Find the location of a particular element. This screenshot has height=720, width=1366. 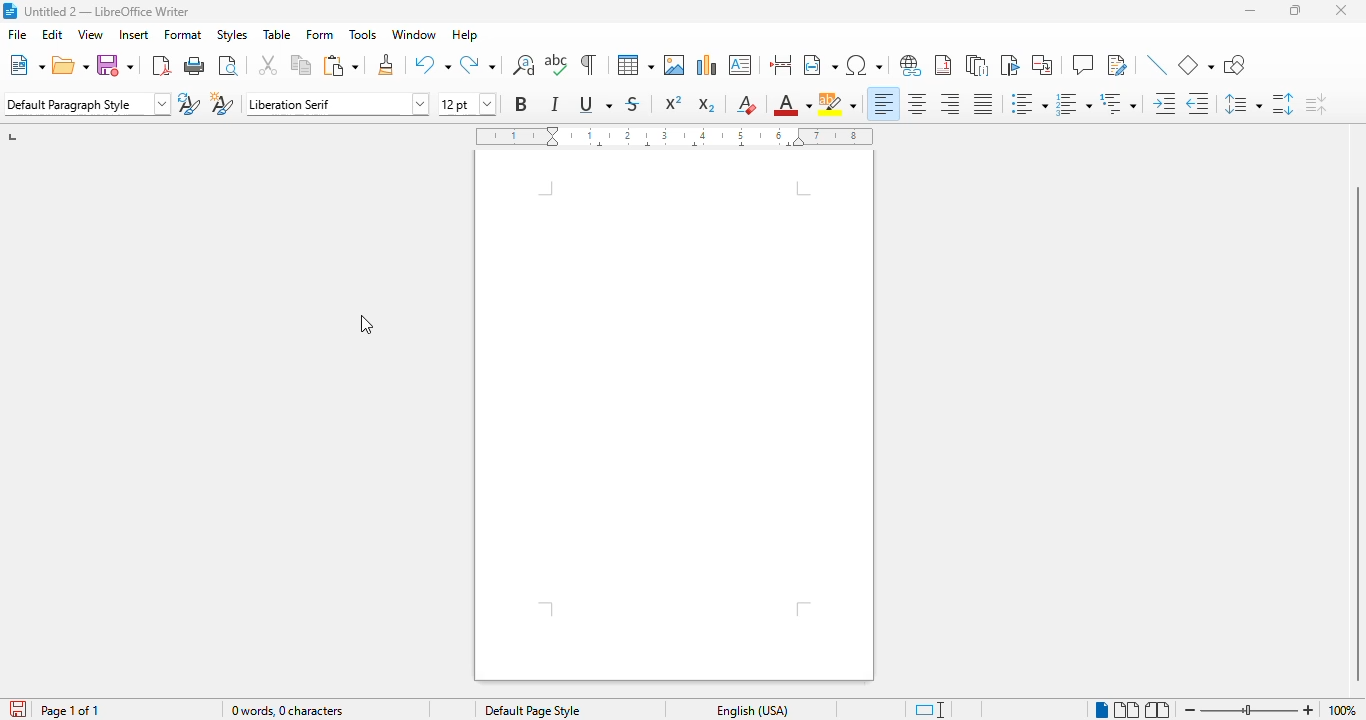

insert chart is located at coordinates (707, 65).